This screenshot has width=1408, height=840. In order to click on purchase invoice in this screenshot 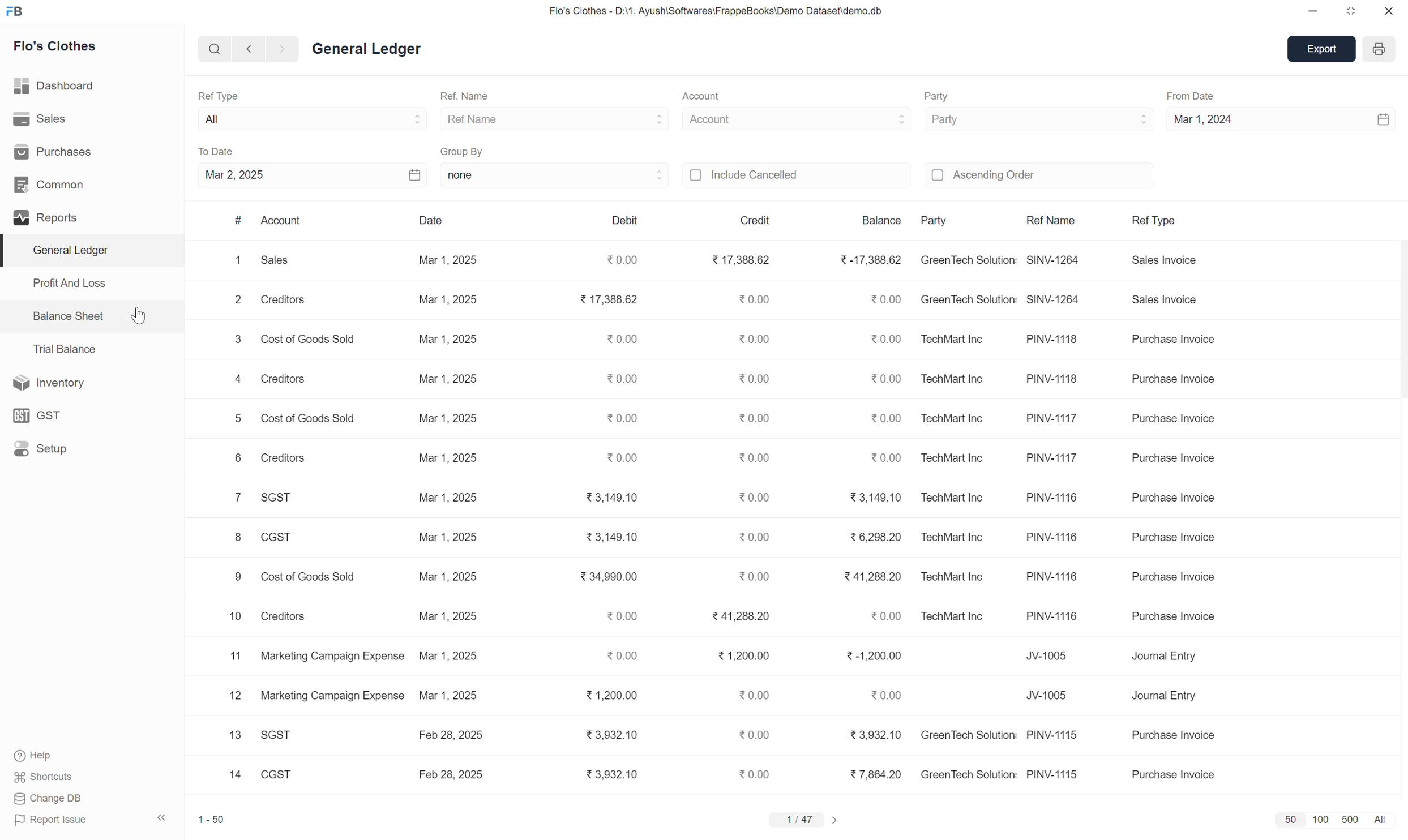, I will do `click(1174, 615)`.